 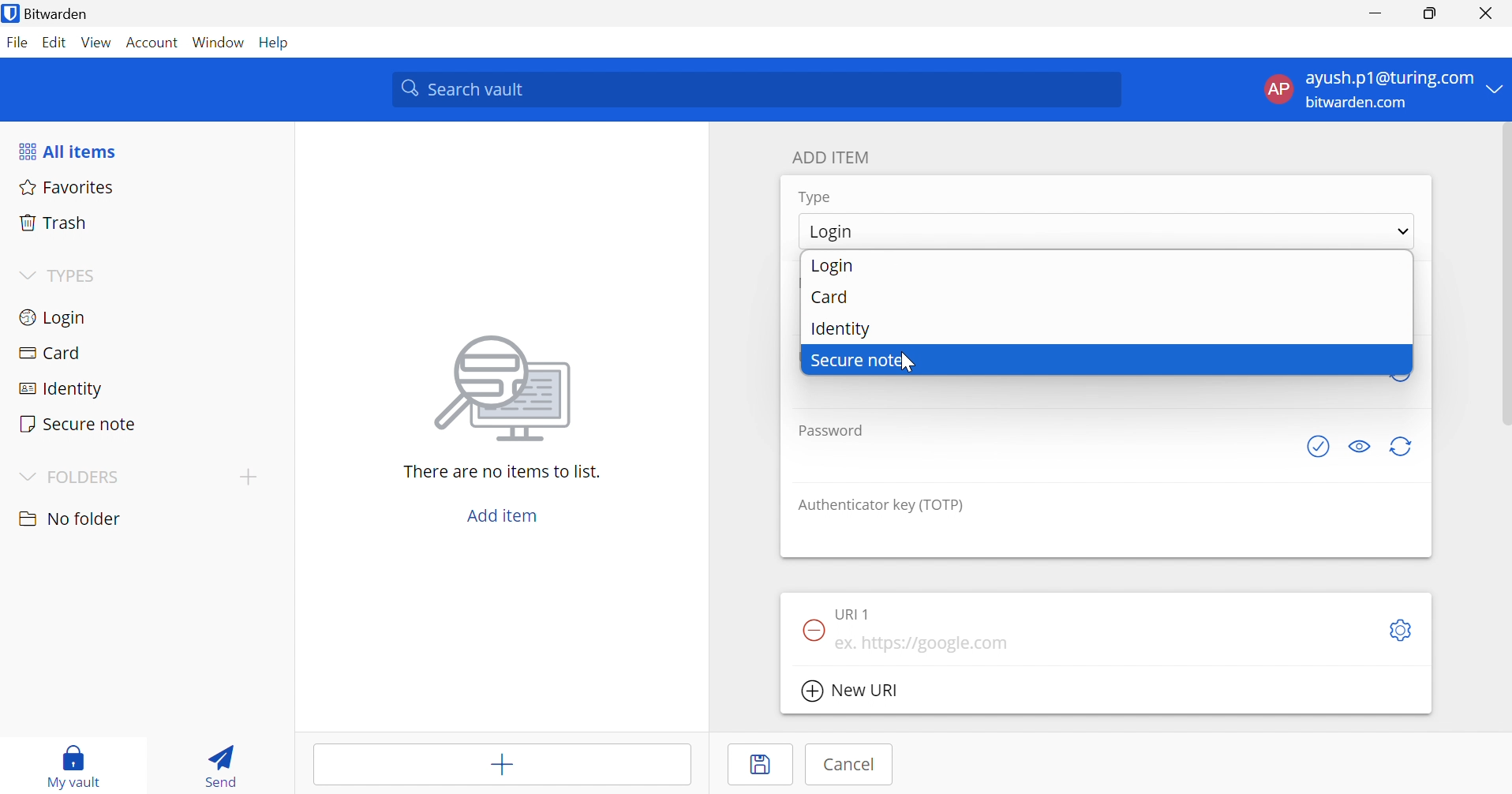 What do you see at coordinates (152, 43) in the screenshot?
I see `Account` at bounding box center [152, 43].